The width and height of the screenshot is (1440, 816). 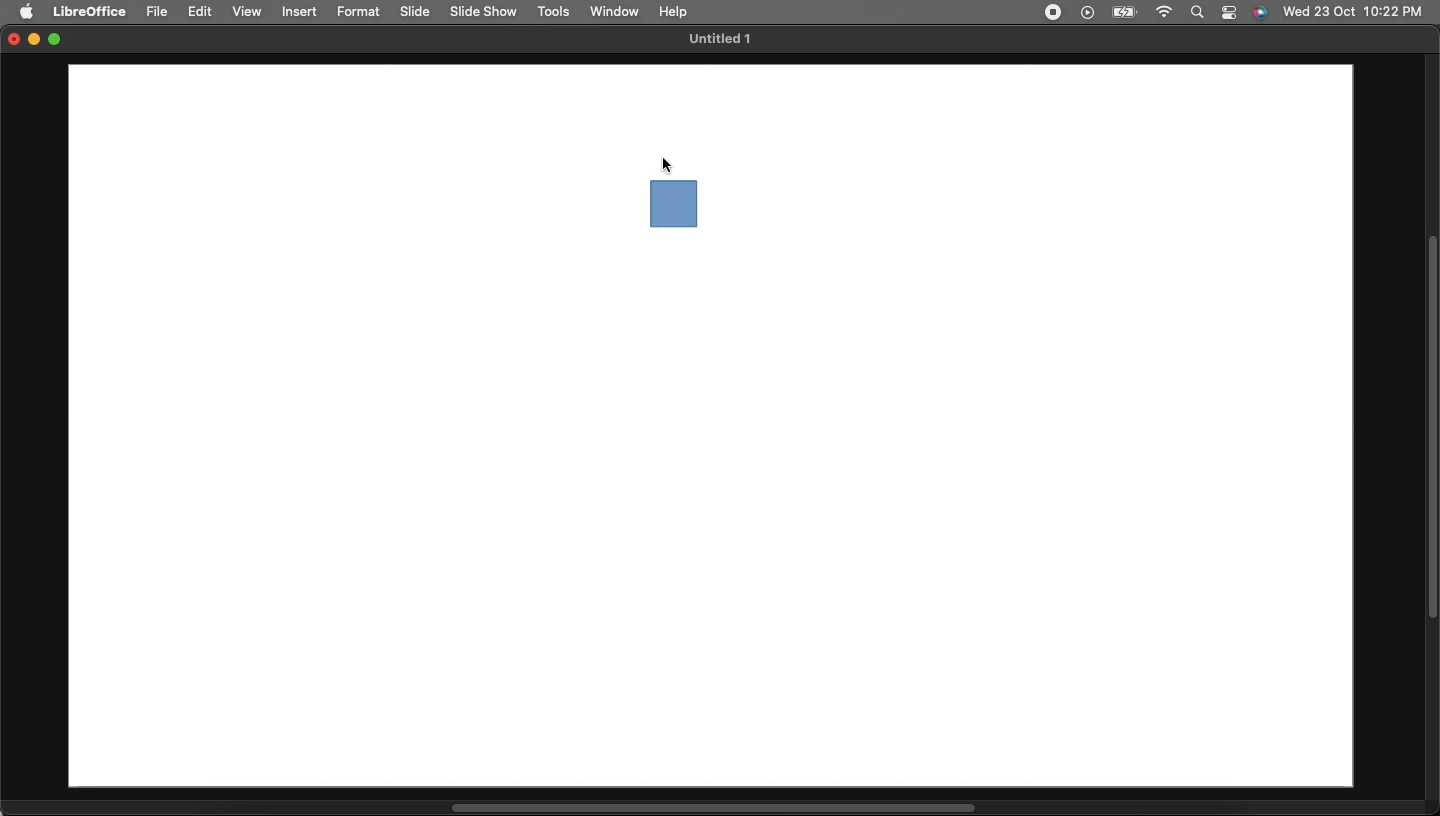 What do you see at coordinates (301, 12) in the screenshot?
I see `Insert` at bounding box center [301, 12].